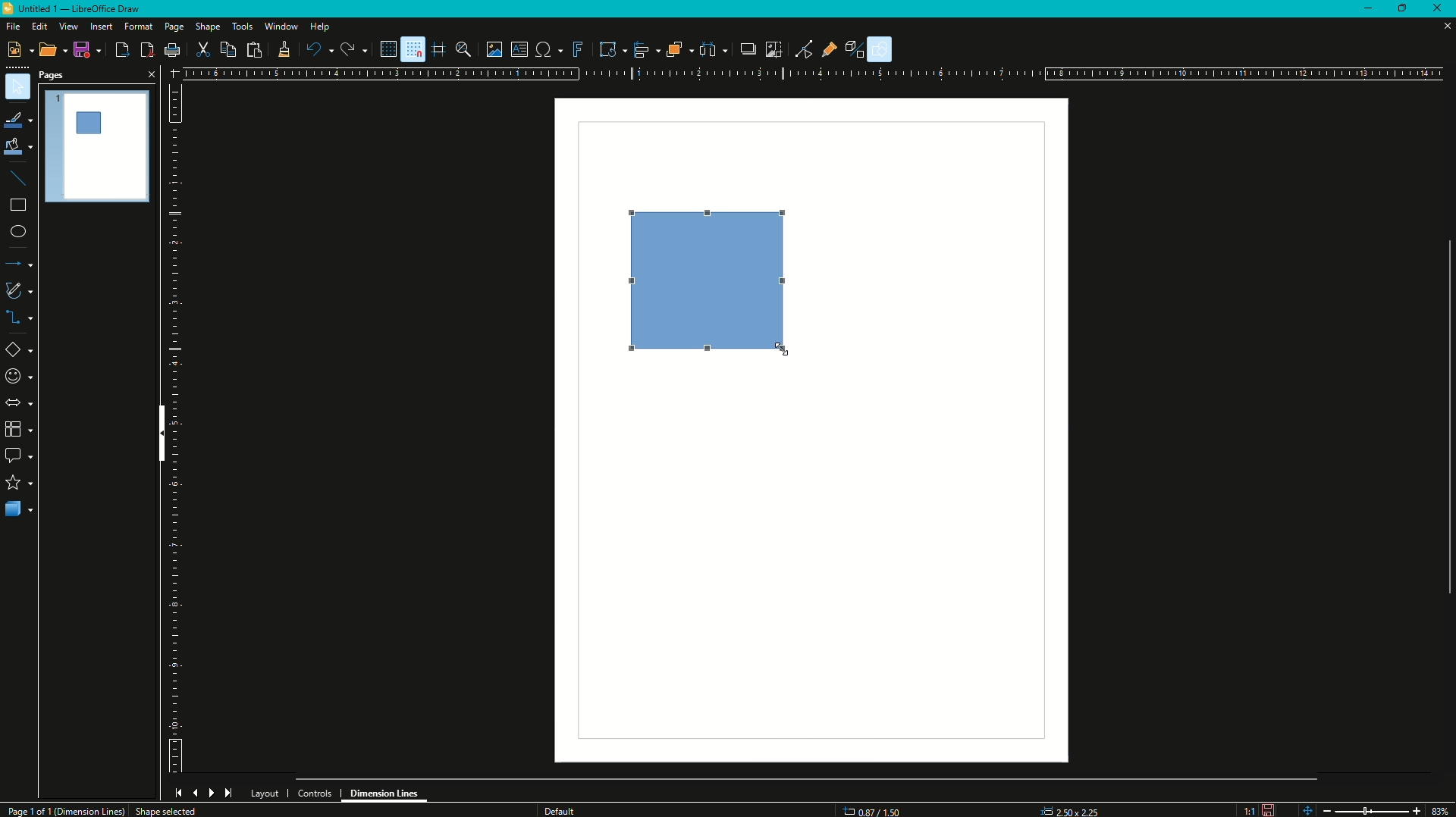  What do you see at coordinates (208, 28) in the screenshot?
I see `Shape` at bounding box center [208, 28].